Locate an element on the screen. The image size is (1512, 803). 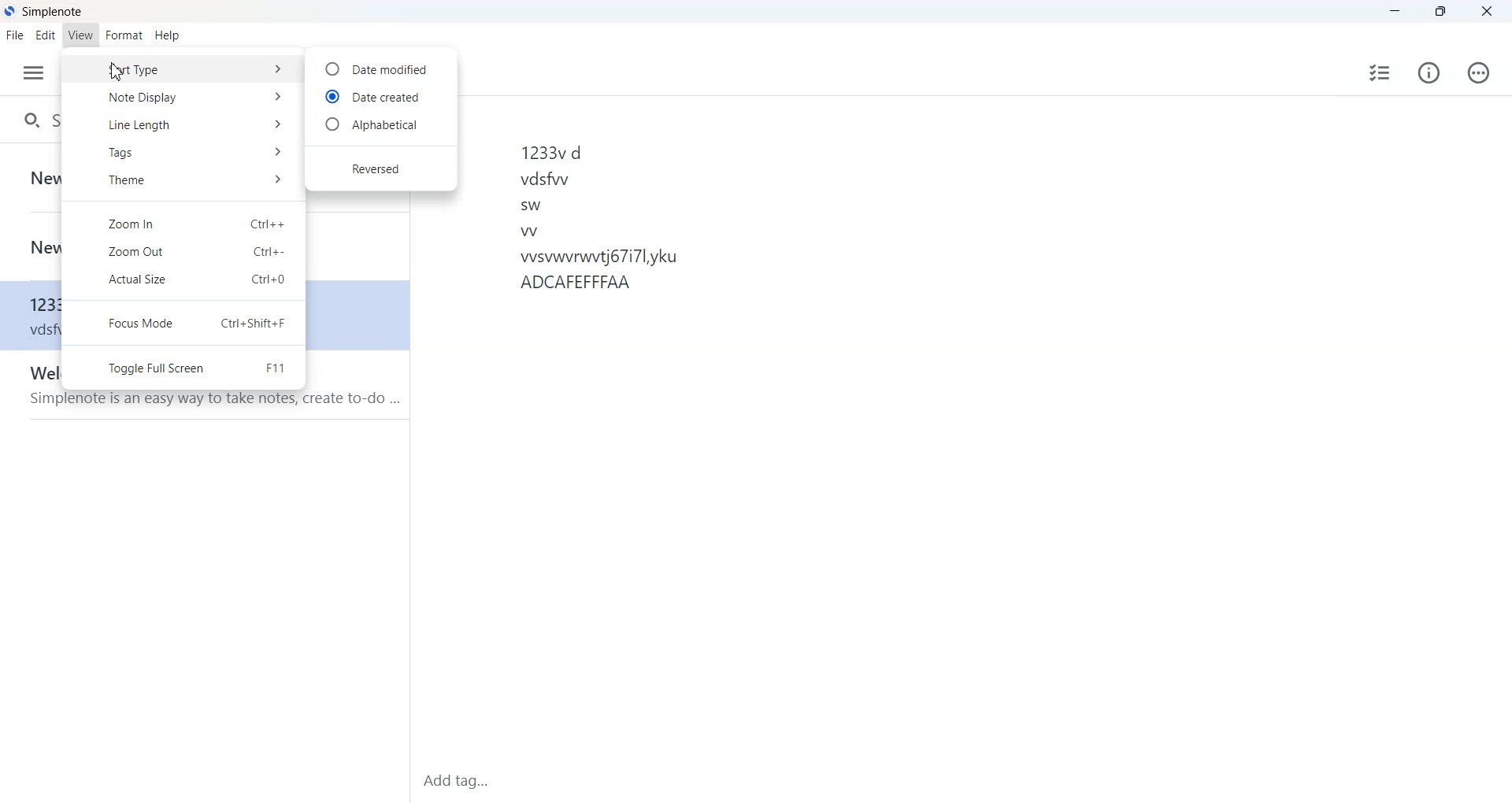
Zoom In is located at coordinates (183, 224).